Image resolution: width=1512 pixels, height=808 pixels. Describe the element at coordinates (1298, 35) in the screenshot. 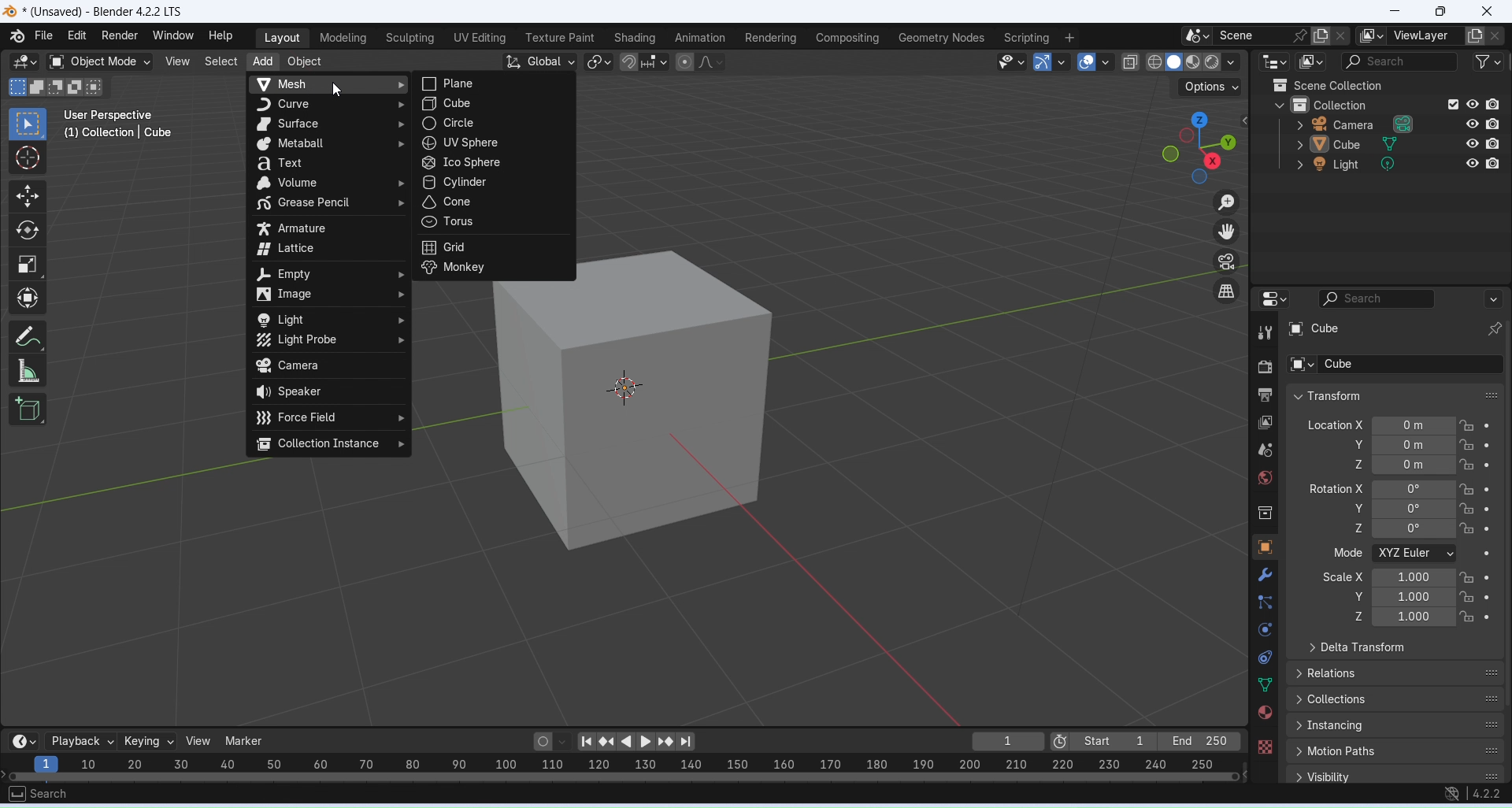

I see `pin` at that location.